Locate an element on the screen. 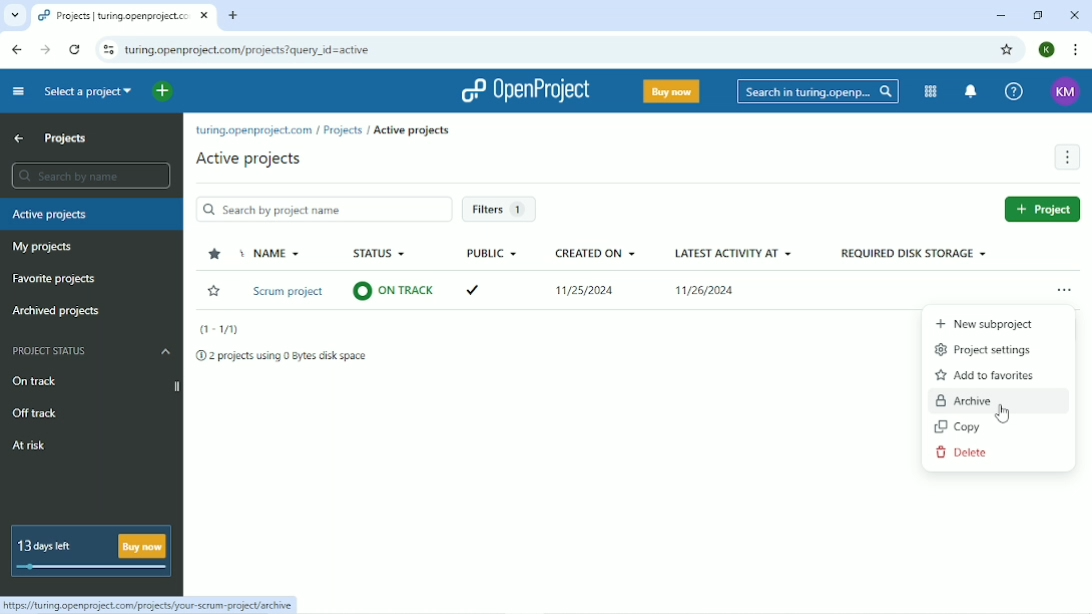 The width and height of the screenshot is (1092, 614). Help is located at coordinates (1017, 91).